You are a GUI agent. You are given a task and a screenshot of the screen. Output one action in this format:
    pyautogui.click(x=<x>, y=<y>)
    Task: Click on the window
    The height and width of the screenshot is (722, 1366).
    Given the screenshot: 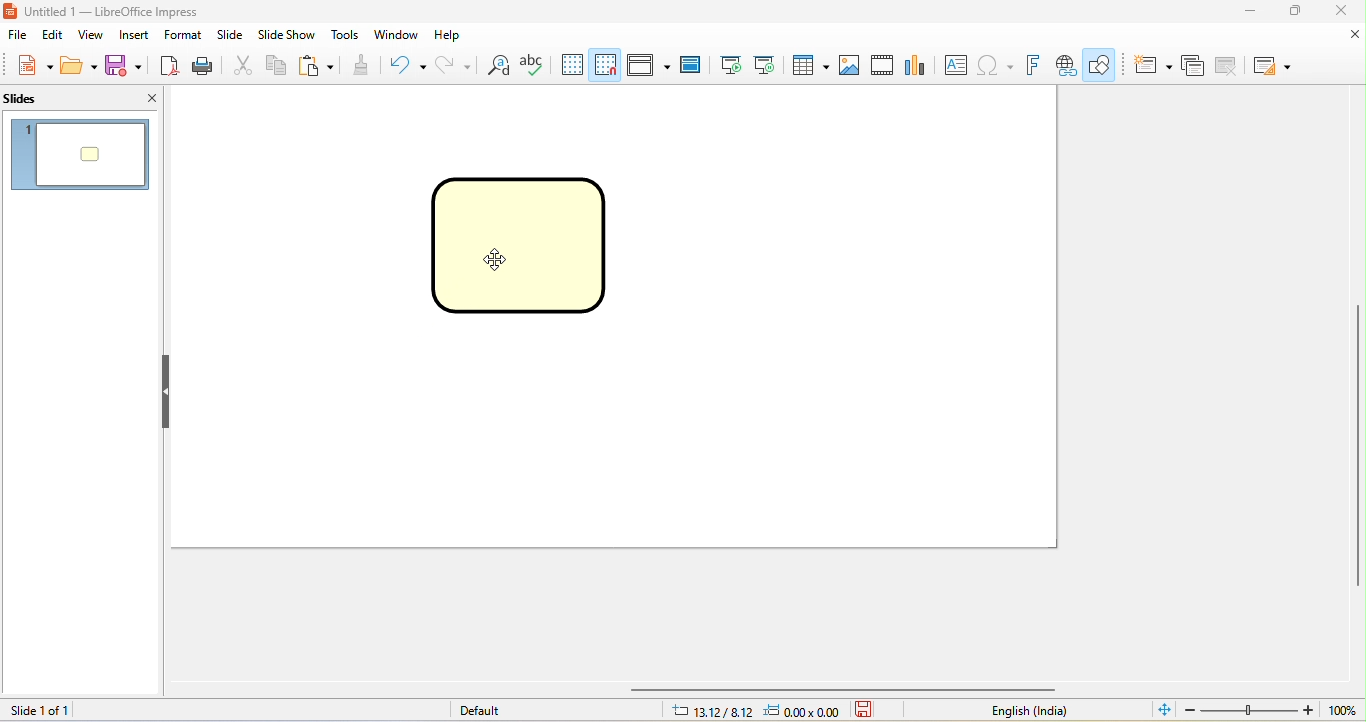 What is the action you would take?
    pyautogui.click(x=396, y=36)
    